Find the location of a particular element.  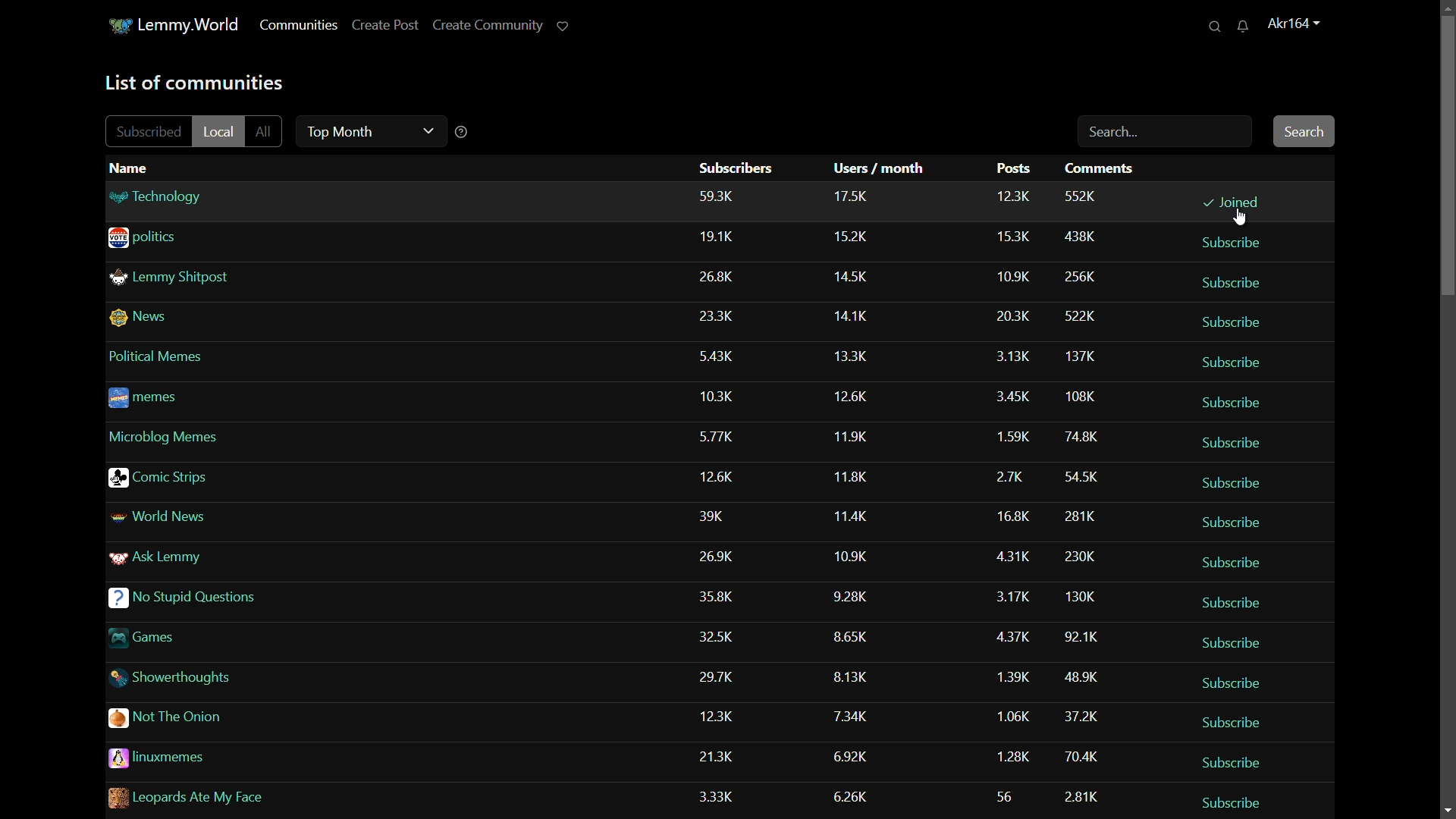

user per month is located at coordinates (859, 275).